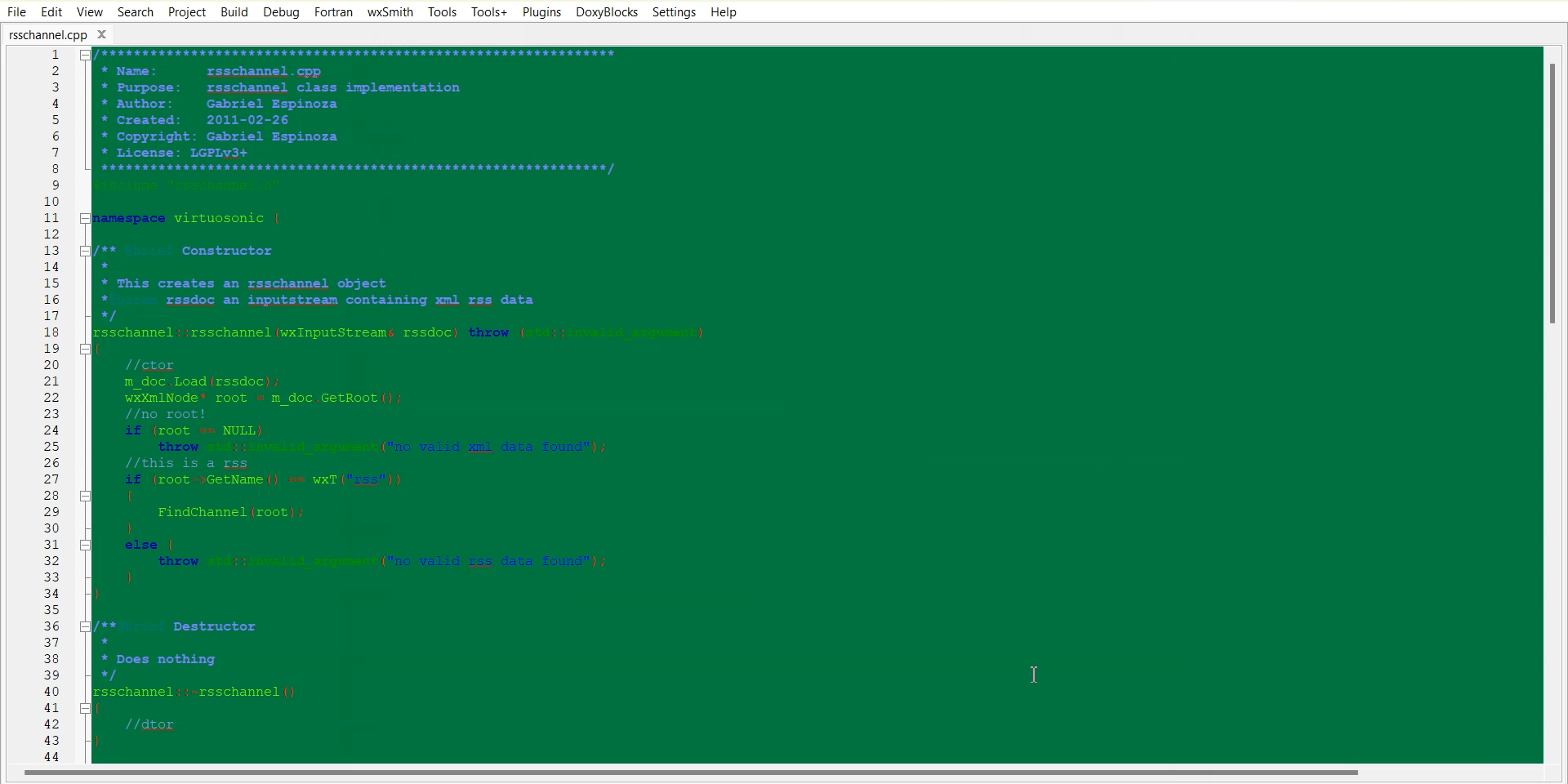  What do you see at coordinates (51, 11) in the screenshot?
I see `Edit` at bounding box center [51, 11].